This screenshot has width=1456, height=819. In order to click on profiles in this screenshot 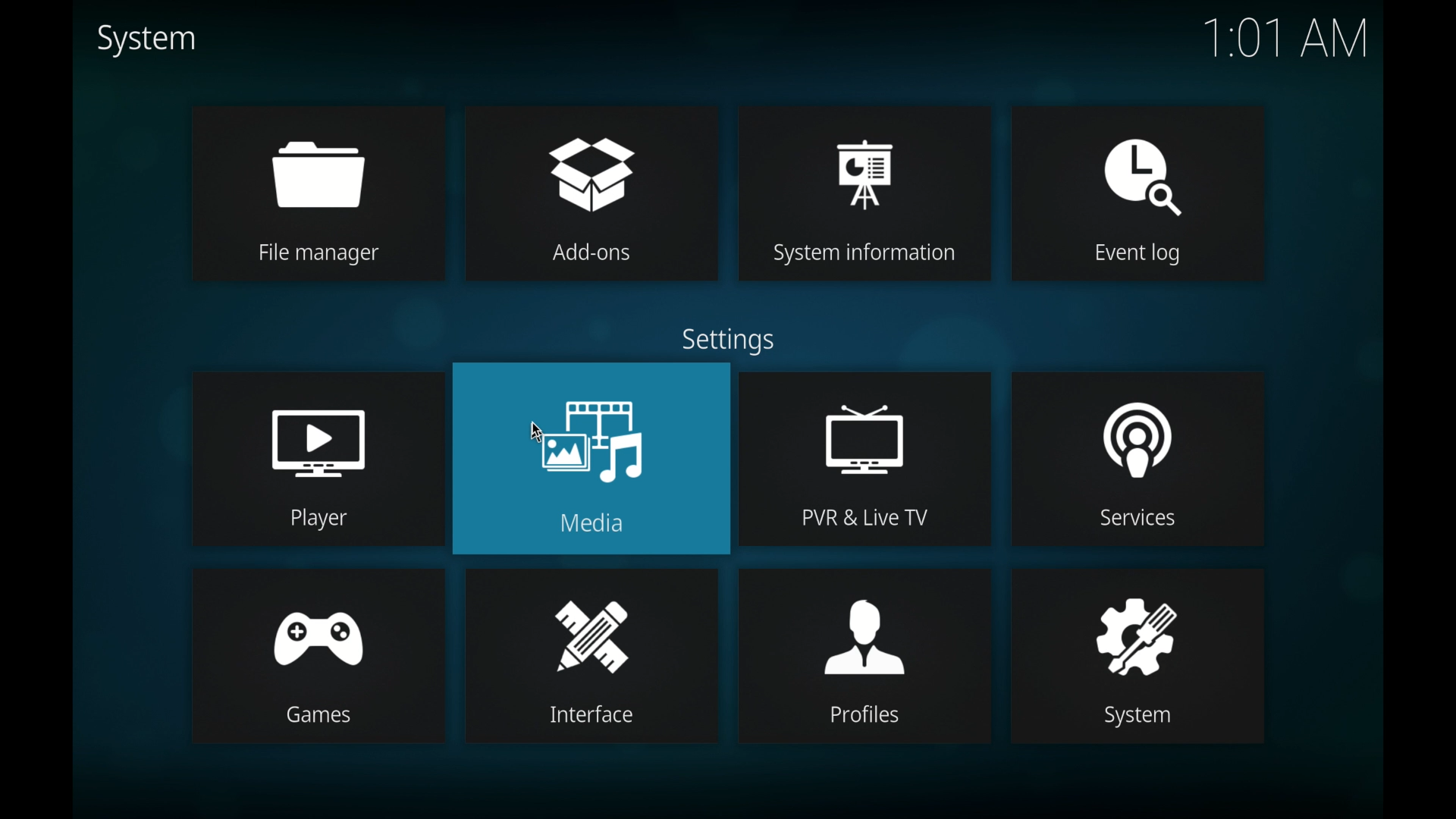, I will do `click(861, 629)`.